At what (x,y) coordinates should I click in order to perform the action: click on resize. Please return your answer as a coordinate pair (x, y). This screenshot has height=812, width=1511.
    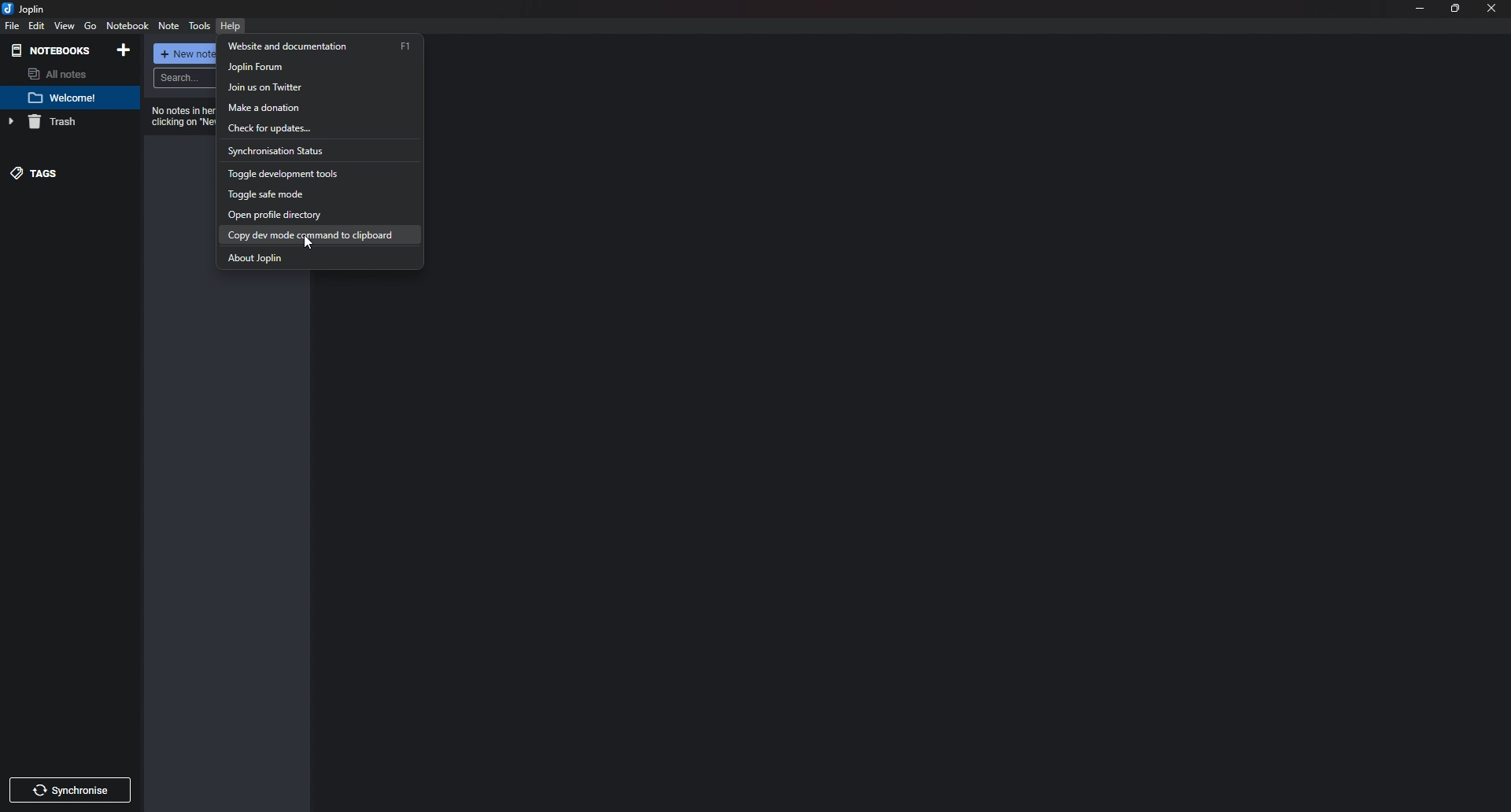
    Looking at the image, I should click on (1457, 8).